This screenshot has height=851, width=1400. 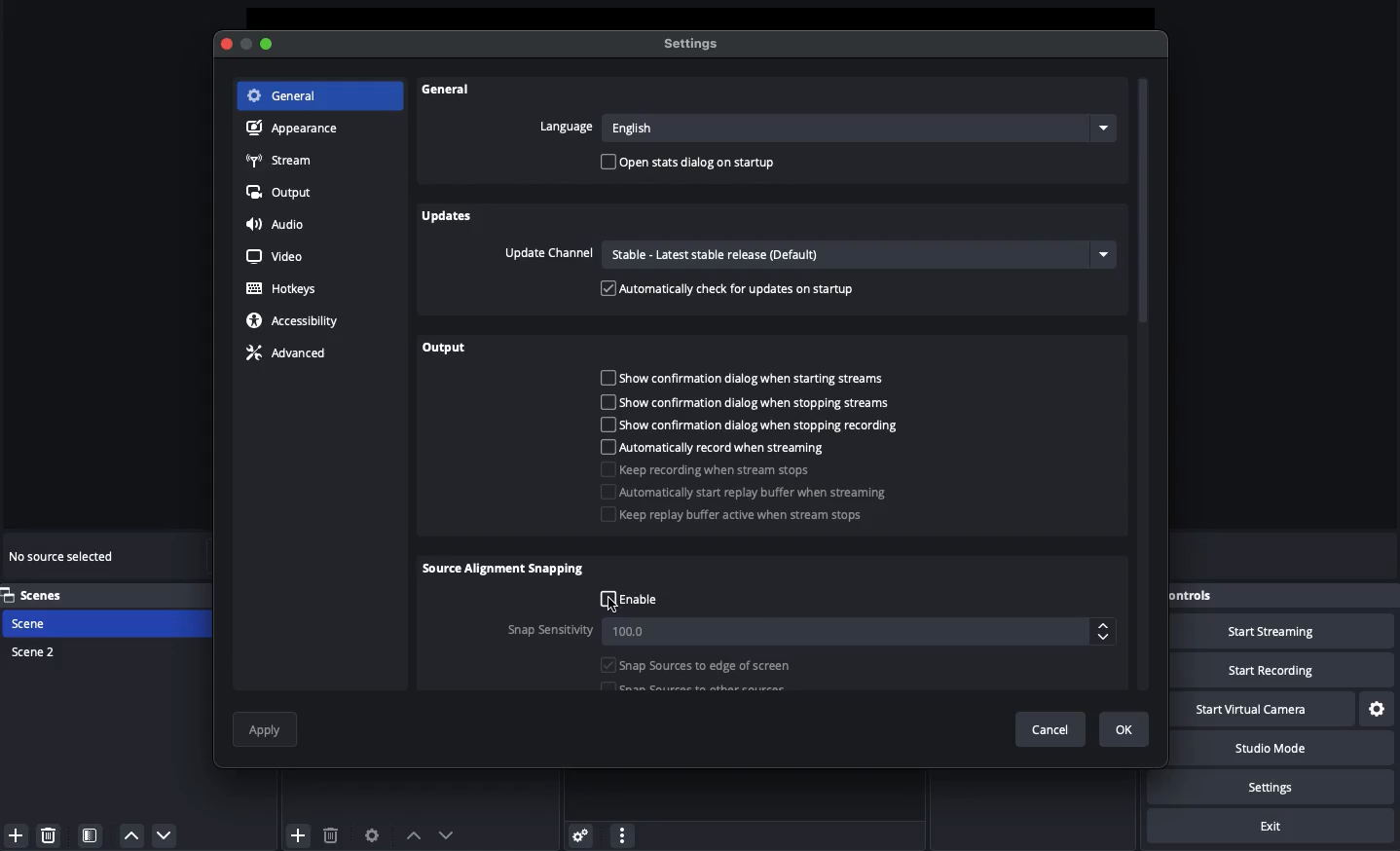 What do you see at coordinates (448, 832) in the screenshot?
I see `Down` at bounding box center [448, 832].